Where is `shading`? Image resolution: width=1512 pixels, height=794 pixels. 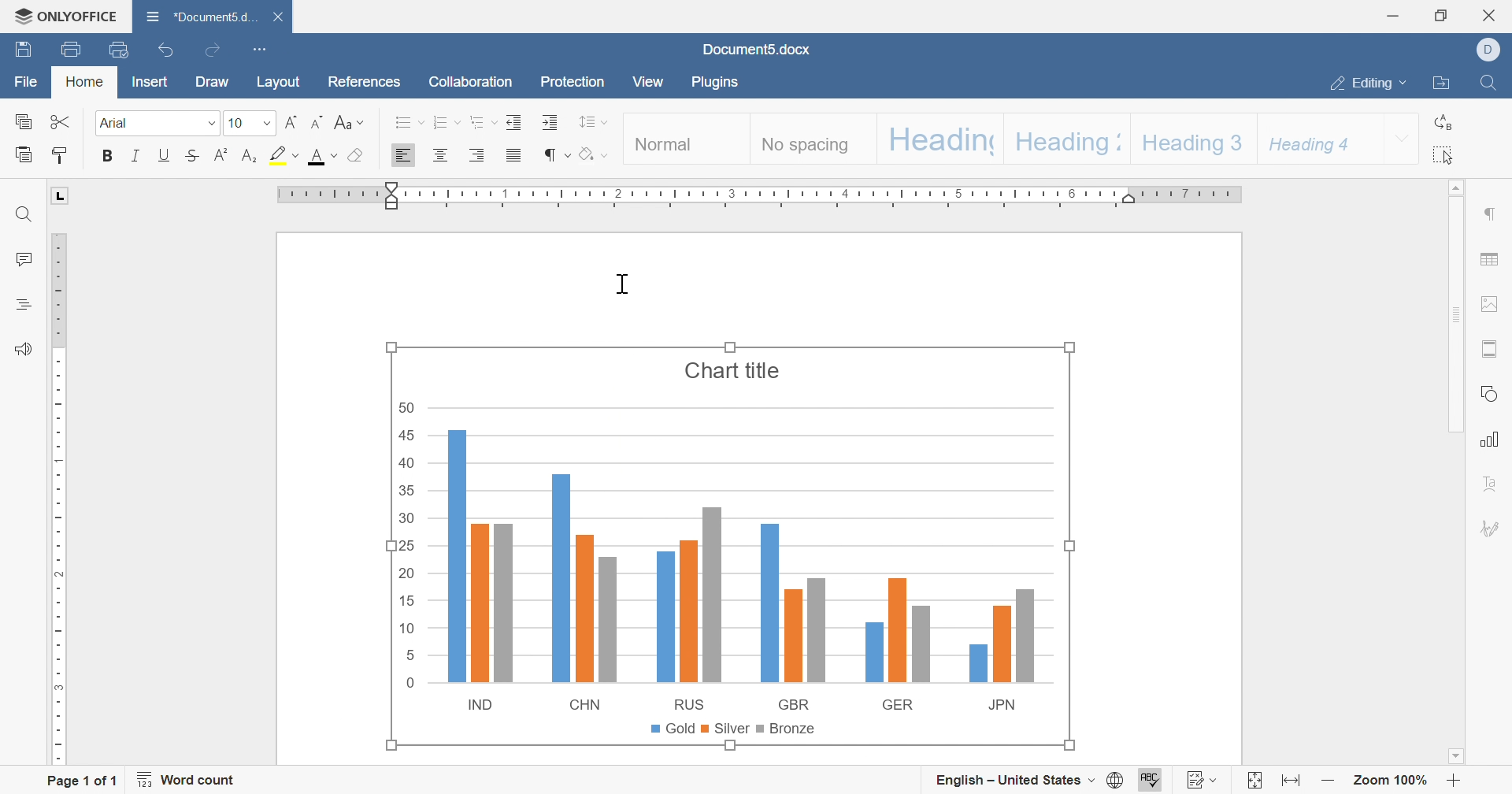
shading is located at coordinates (355, 156).